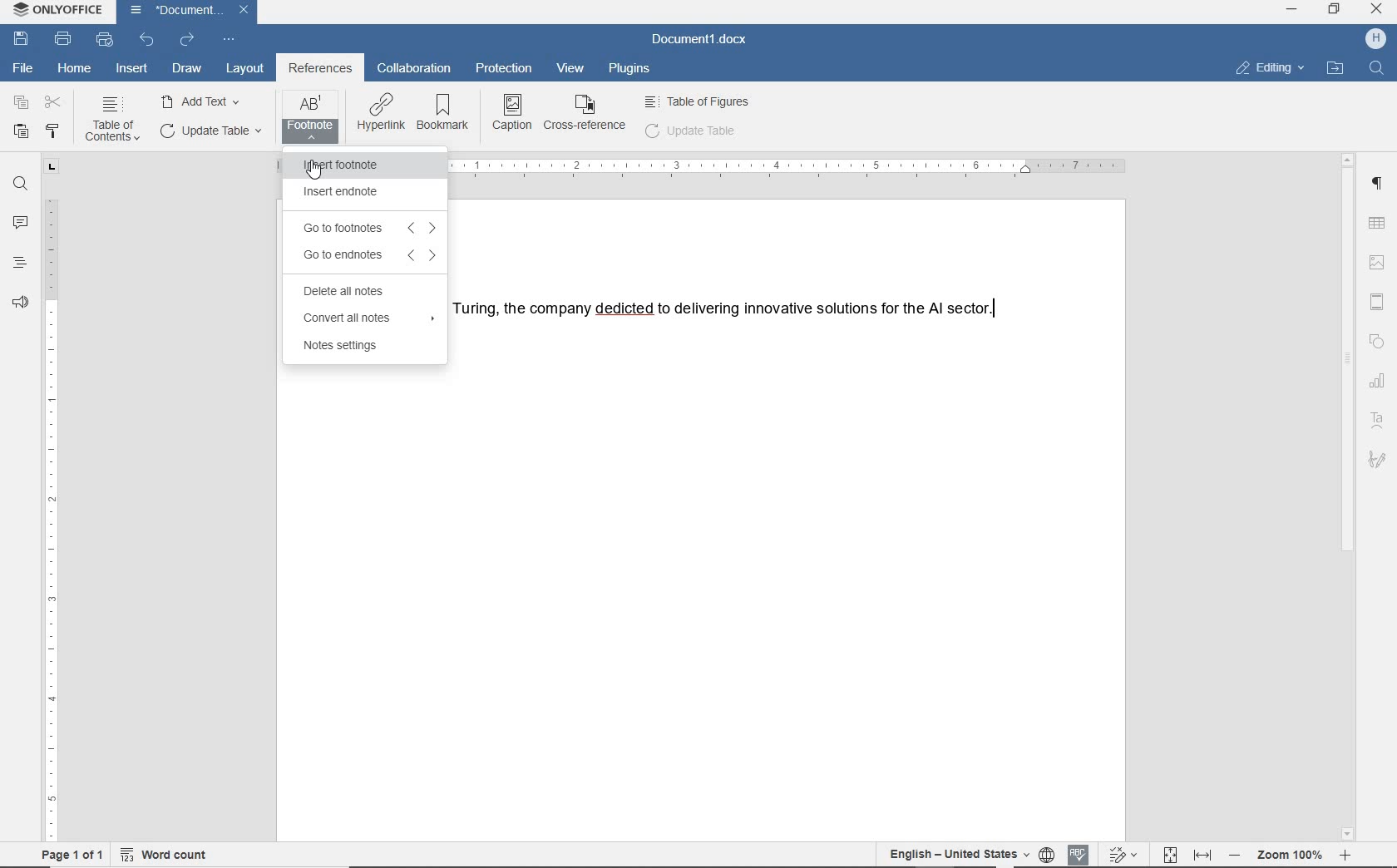 The image size is (1397, 868). Describe the element at coordinates (146, 40) in the screenshot. I see `undo` at that location.